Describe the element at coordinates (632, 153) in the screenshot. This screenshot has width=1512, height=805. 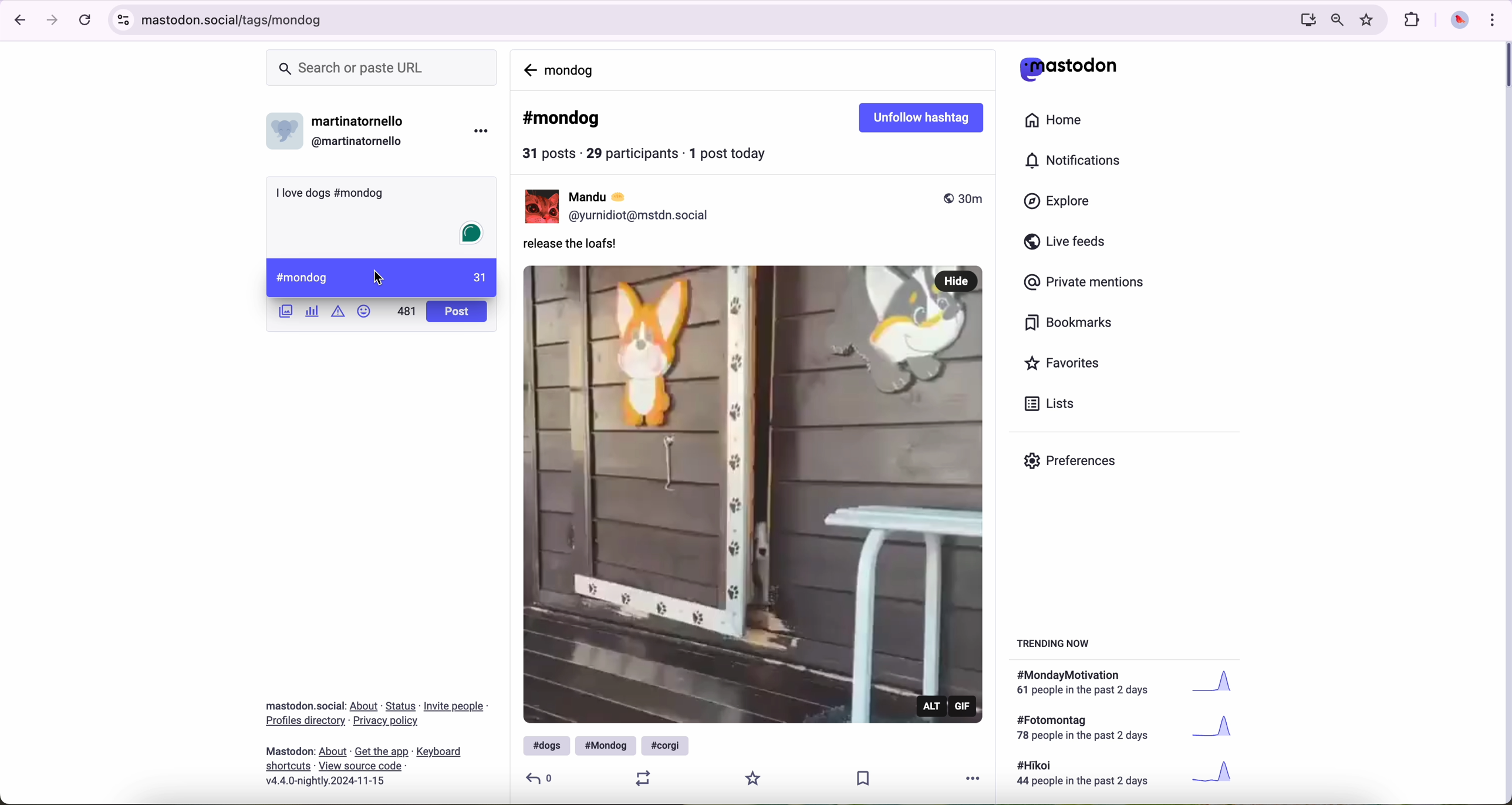
I see `29 participants` at that location.